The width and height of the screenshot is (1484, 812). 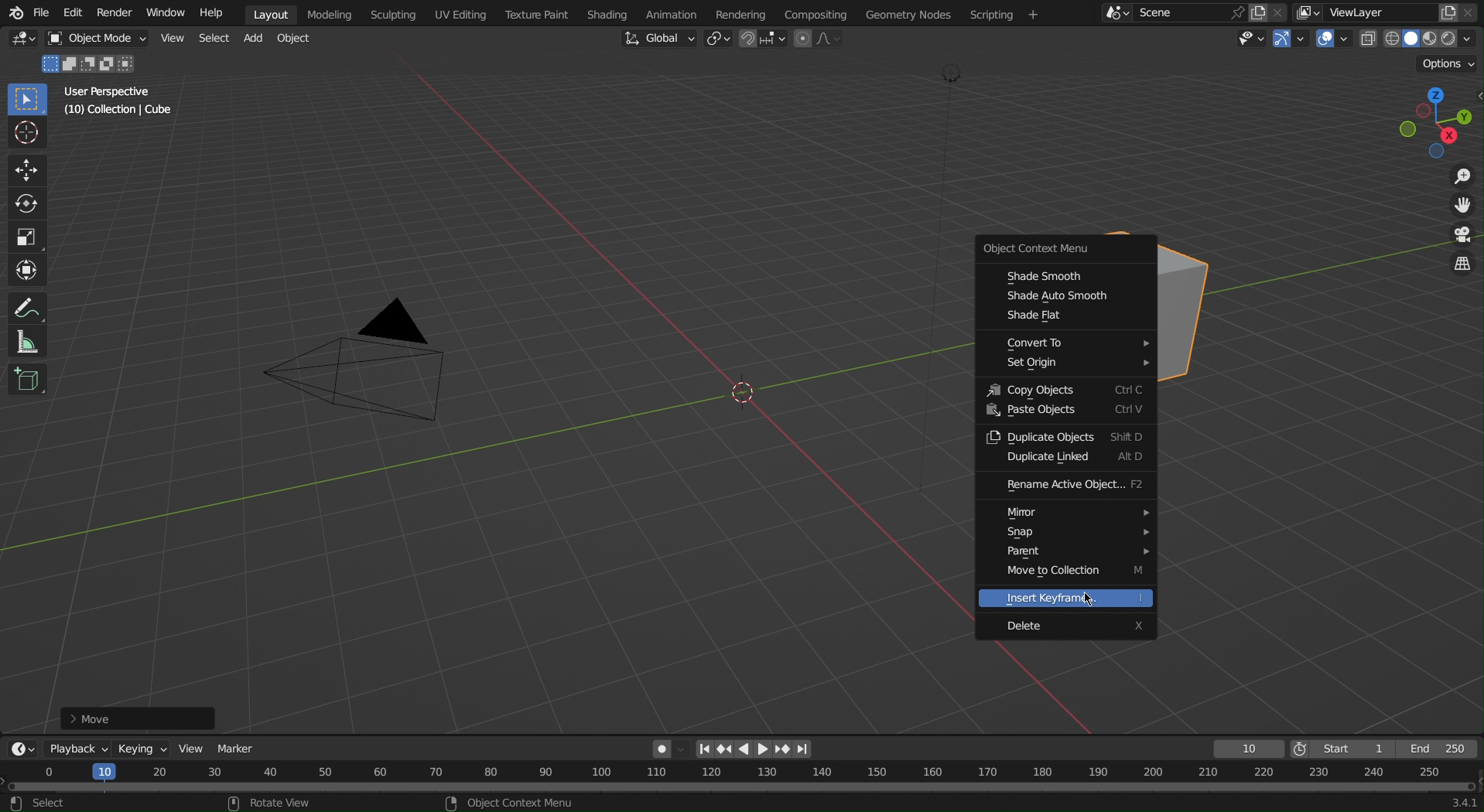 I want to click on Delete, so click(x=1068, y=628).